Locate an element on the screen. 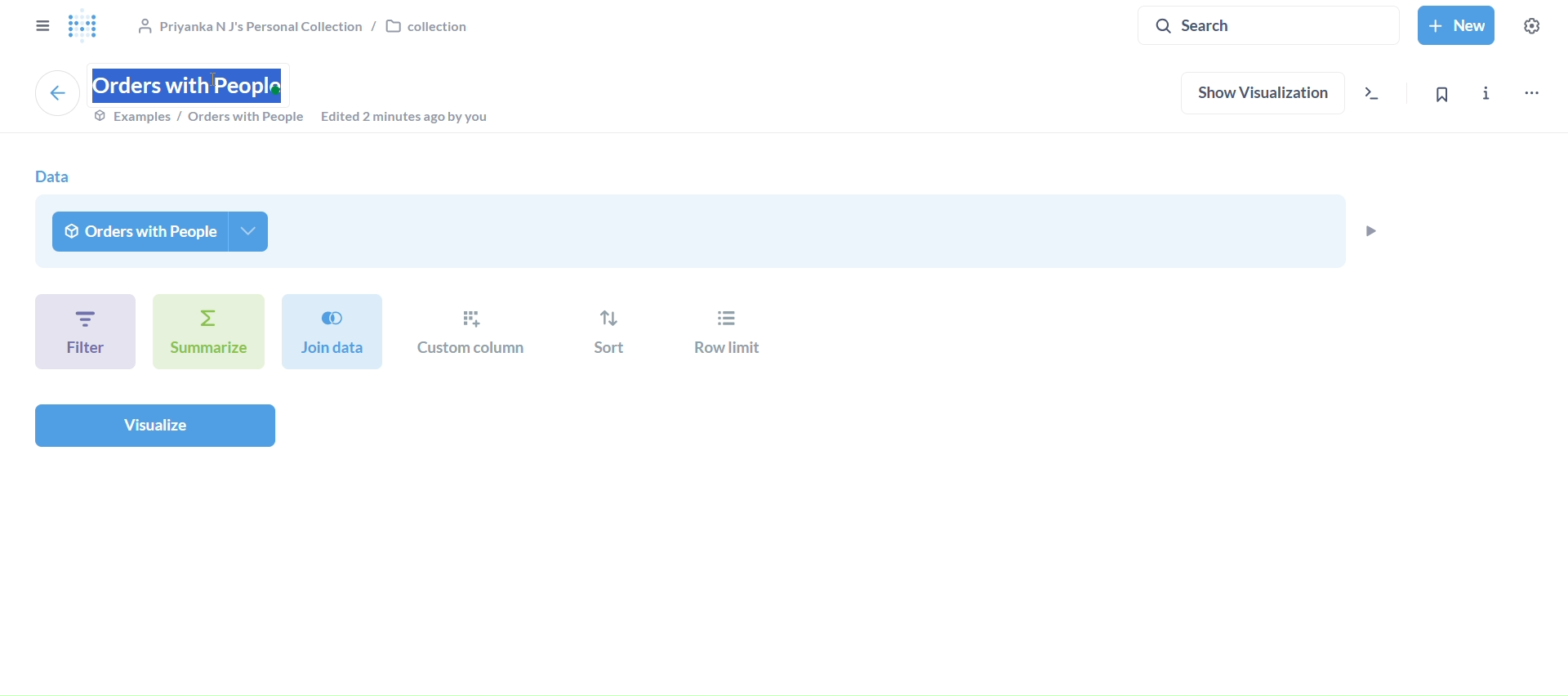  new is located at coordinates (1458, 26).